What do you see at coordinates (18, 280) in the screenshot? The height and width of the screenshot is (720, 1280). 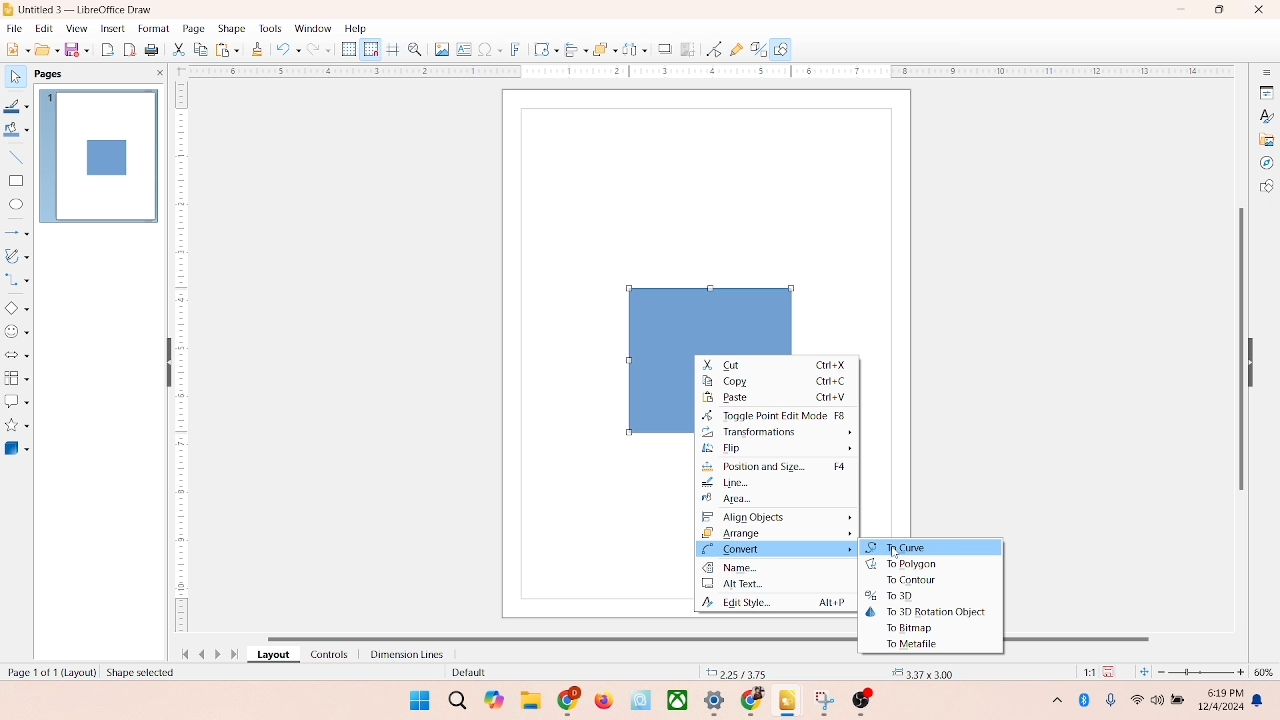 I see `connector` at bounding box center [18, 280].